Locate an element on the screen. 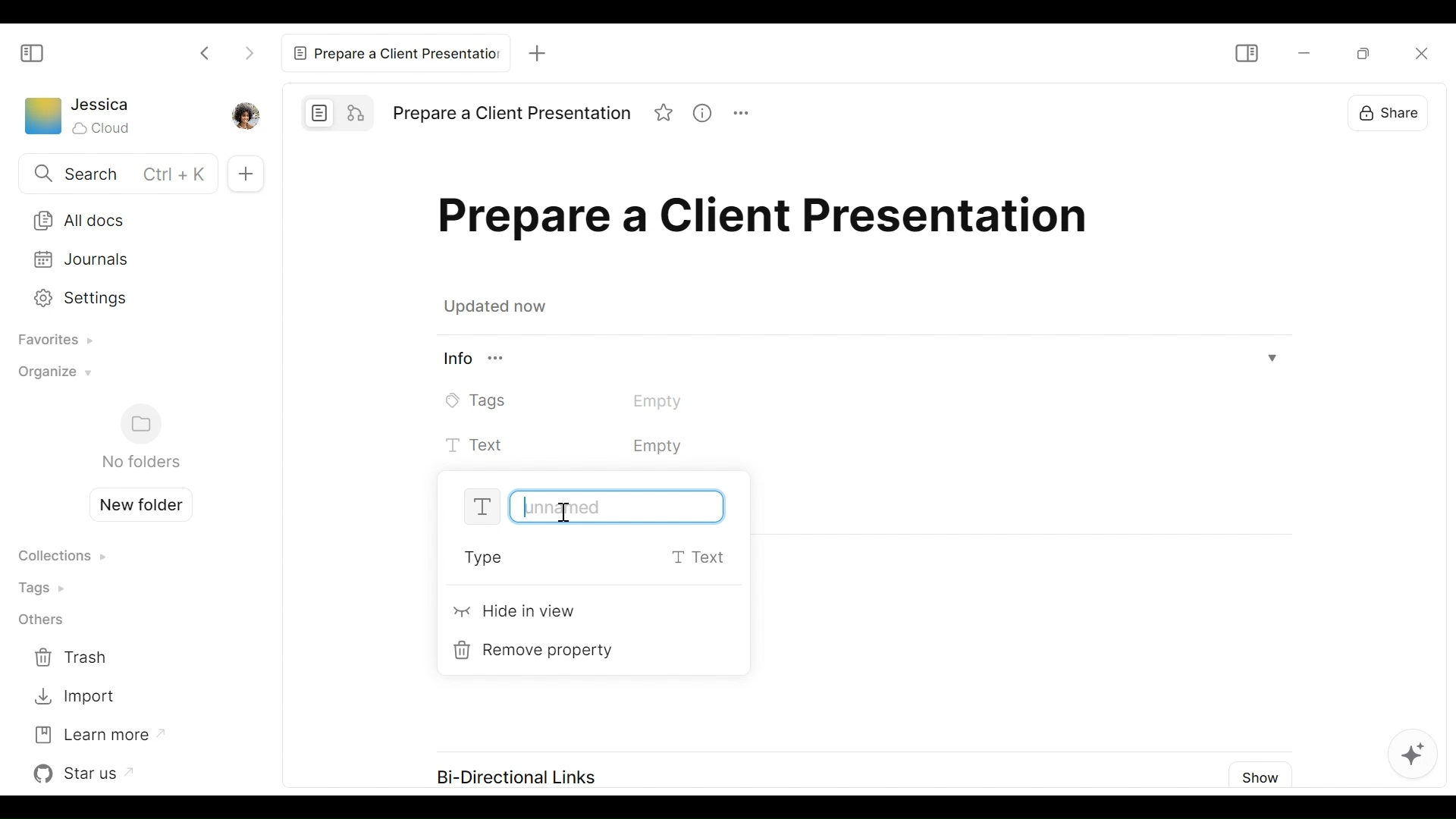 This screenshot has height=819, width=1456. View Information is located at coordinates (861, 360).